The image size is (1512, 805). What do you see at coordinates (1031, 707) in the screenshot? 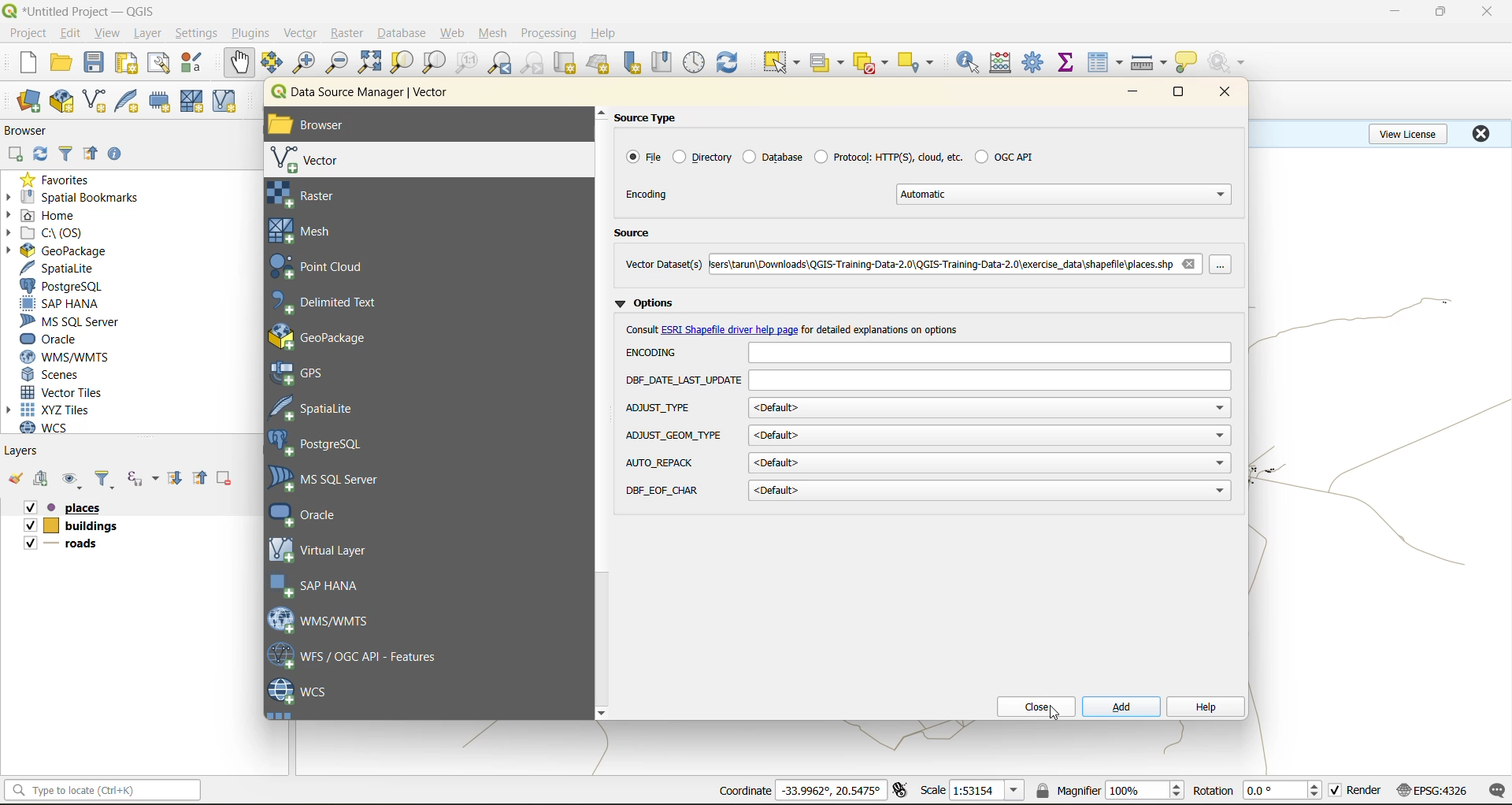
I see `close` at bounding box center [1031, 707].